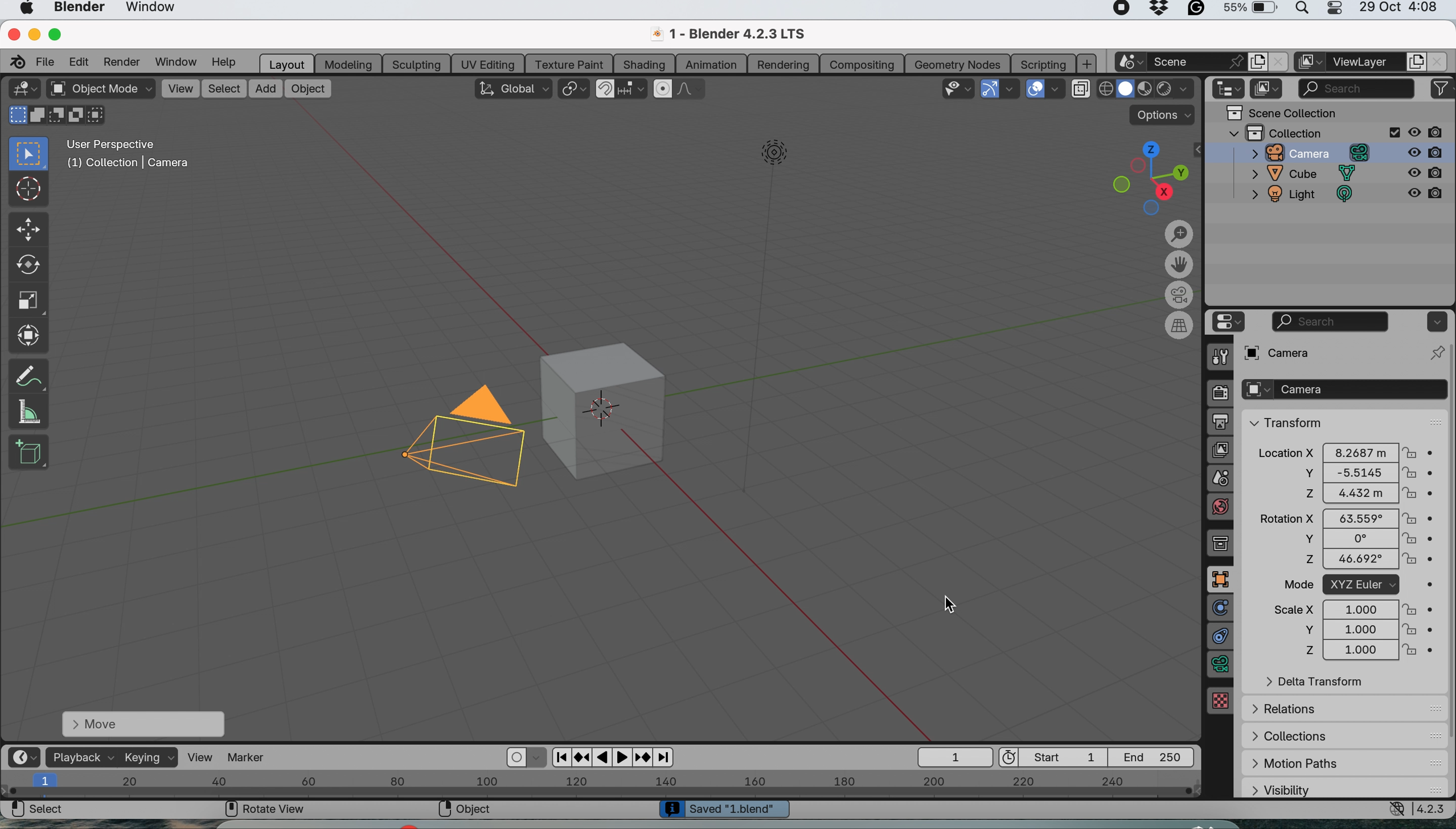  What do you see at coordinates (30, 412) in the screenshot?
I see `measure` at bounding box center [30, 412].